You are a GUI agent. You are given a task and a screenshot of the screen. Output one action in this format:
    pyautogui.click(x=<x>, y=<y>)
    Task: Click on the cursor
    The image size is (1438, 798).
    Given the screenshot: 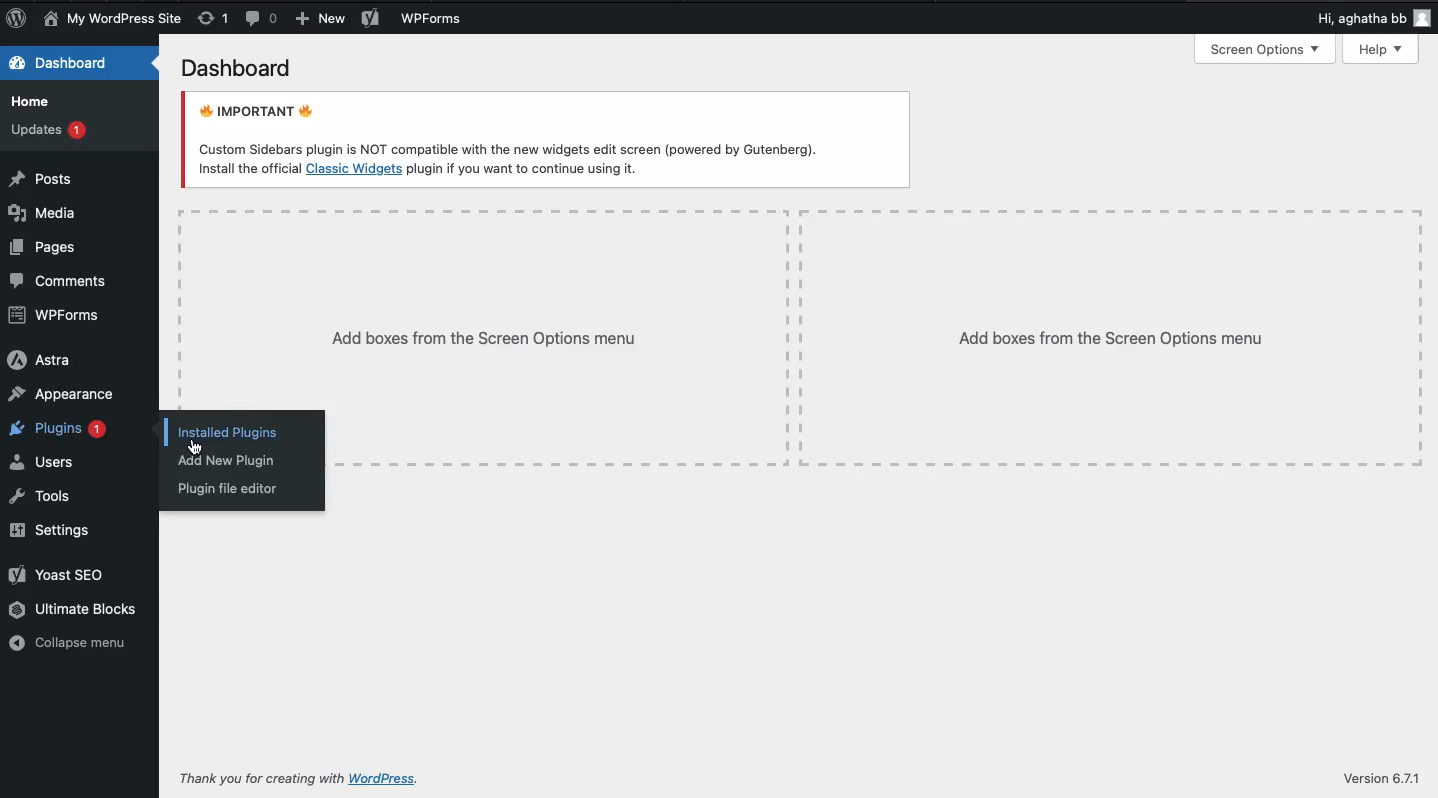 What is the action you would take?
    pyautogui.click(x=193, y=446)
    